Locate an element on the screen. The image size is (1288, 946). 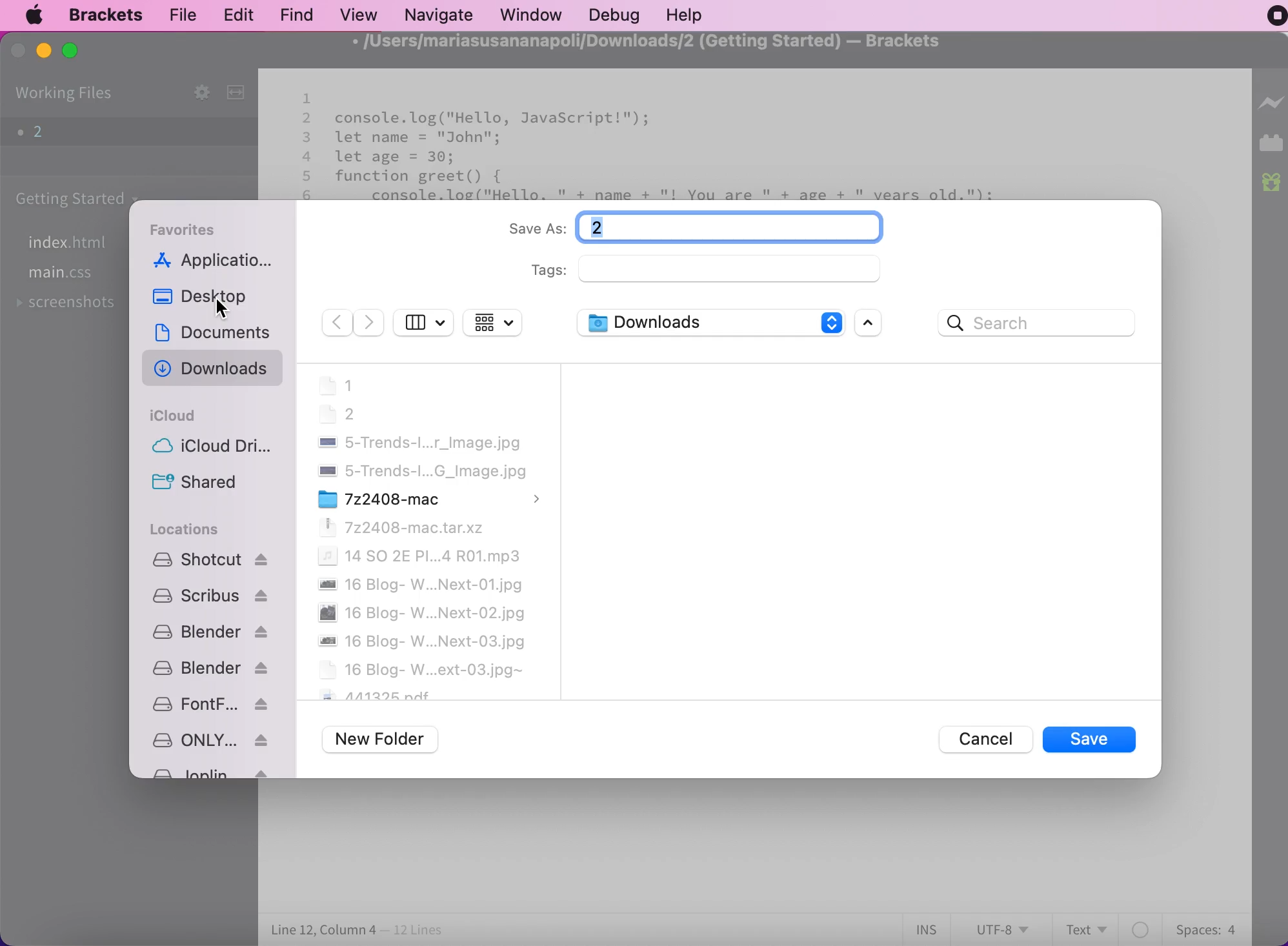
console.log("Hello, JavaScript!");let name = "John";let age = 30;function greet() {console.log("Hello, " + name + "! You are " + age + " years old.");}greet ();document.addEventListener ("DOMContentLoaded", function() {const heading = document.querySelector("h1");| heading textcontent = "Welcome to My JavaScript Page"; }); is located at coordinates (663, 155).